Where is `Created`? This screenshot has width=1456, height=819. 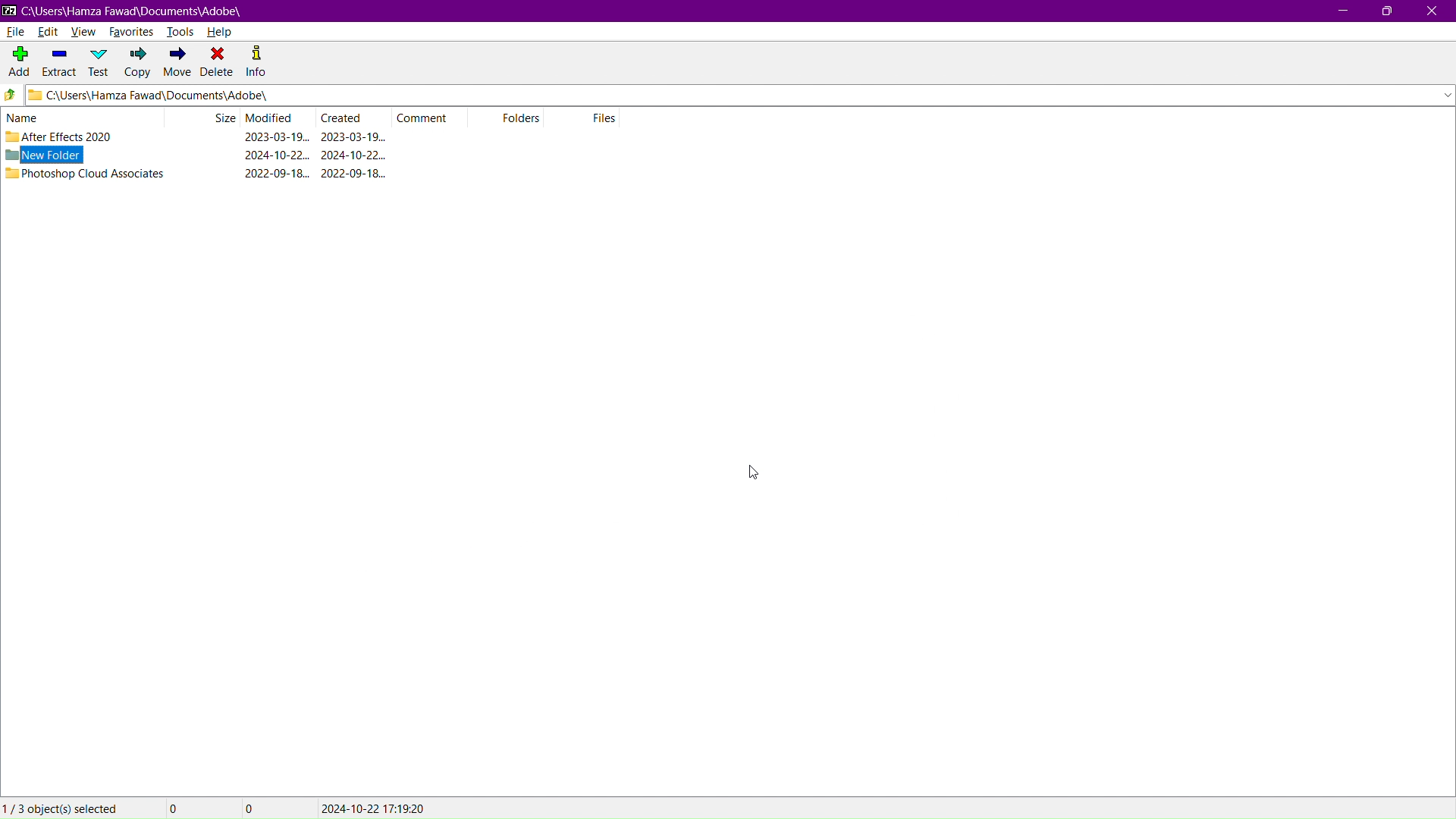 Created is located at coordinates (354, 117).